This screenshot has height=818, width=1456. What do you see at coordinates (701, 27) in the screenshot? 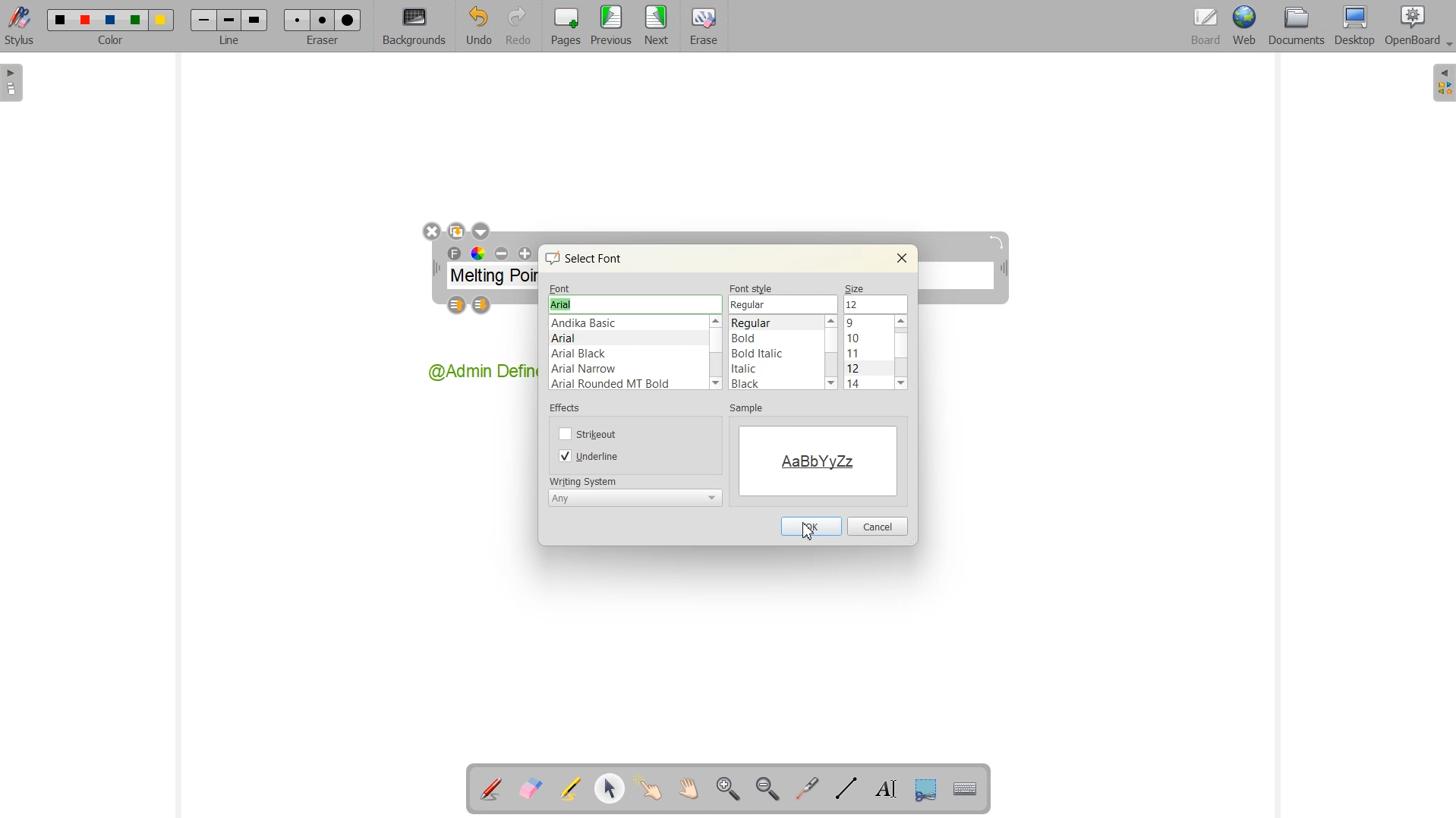
I see `Eraser` at bounding box center [701, 27].